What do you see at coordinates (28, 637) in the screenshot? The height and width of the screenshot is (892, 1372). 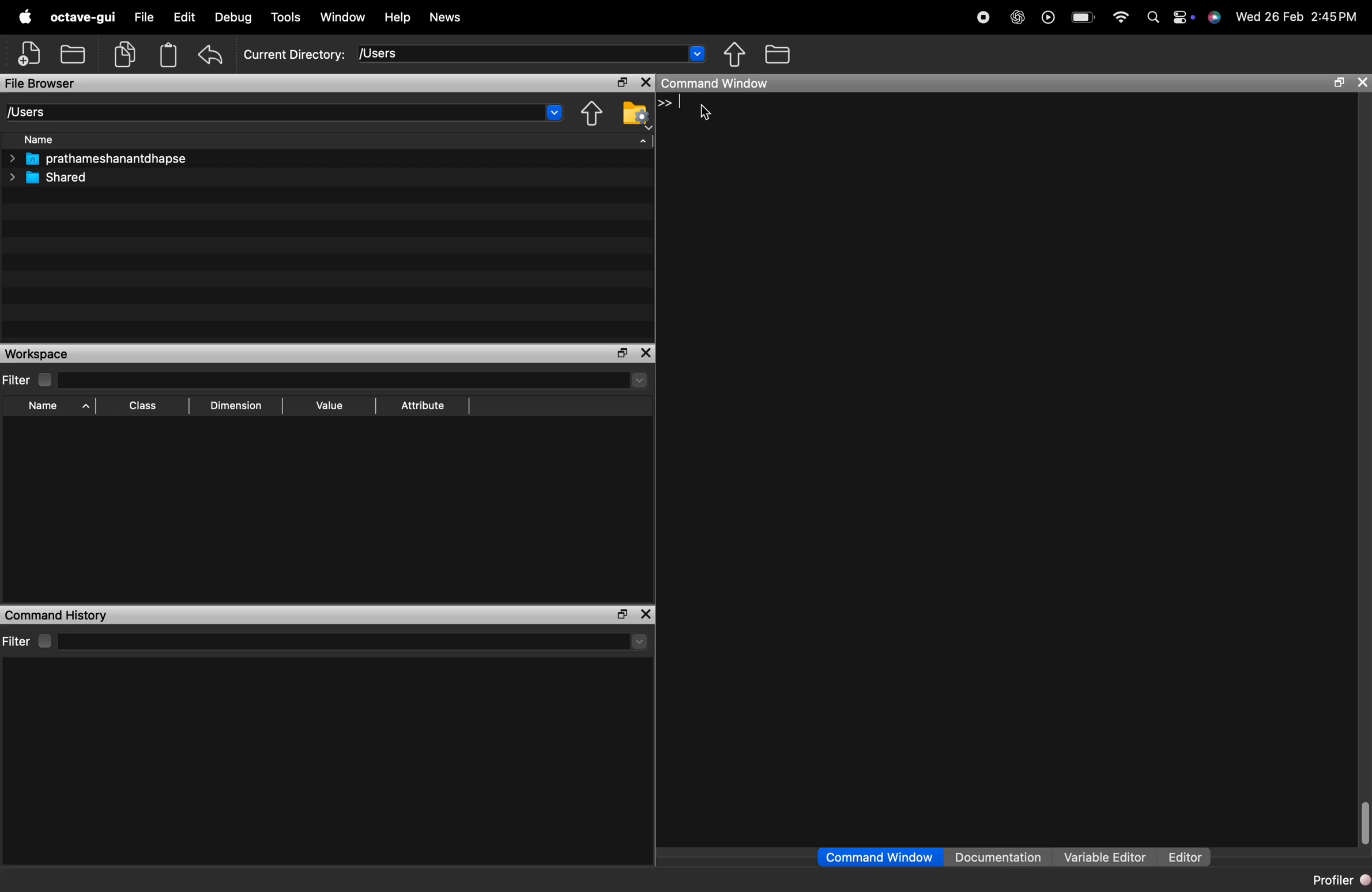 I see `Filter` at bounding box center [28, 637].